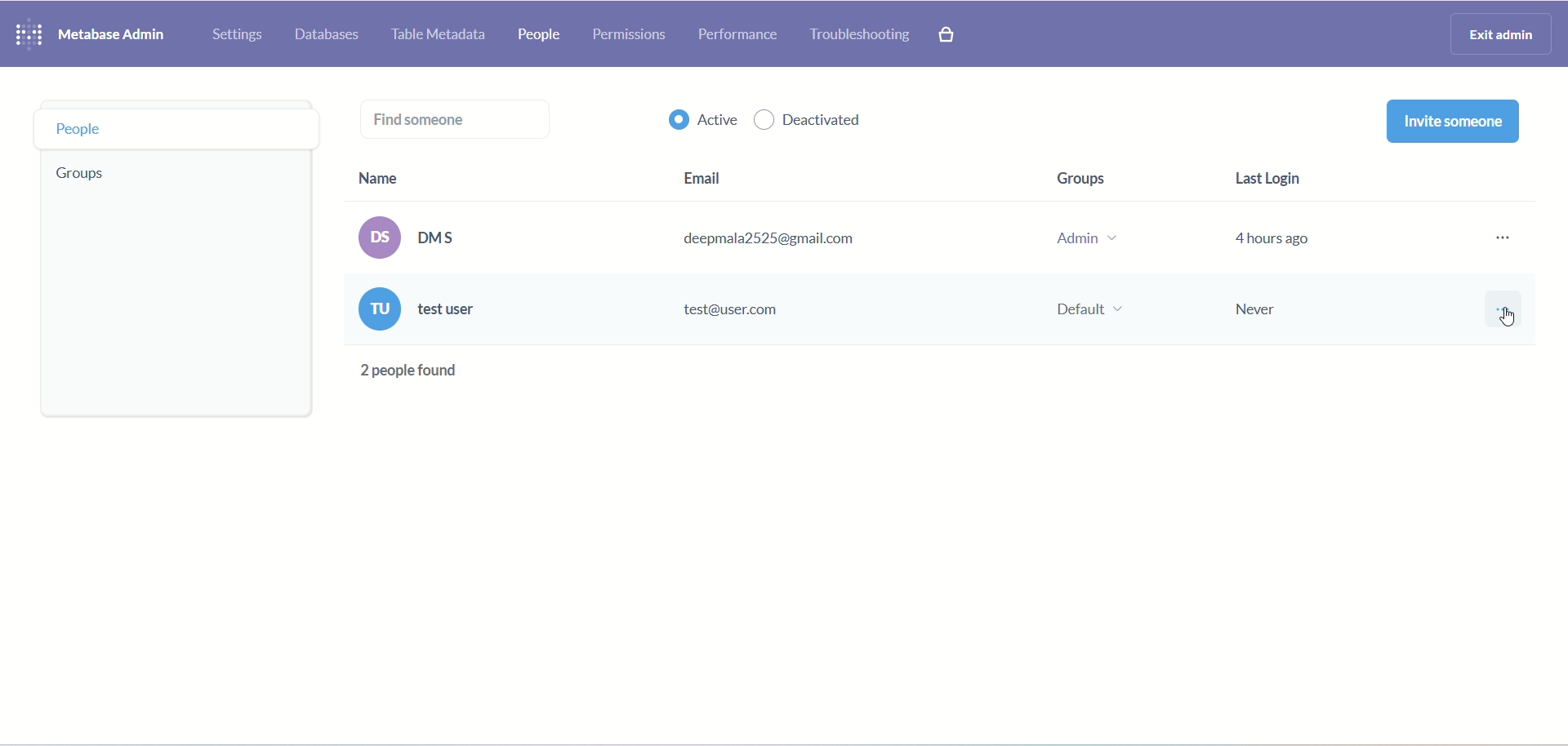 This screenshot has width=1568, height=746. I want to click on people, so click(171, 130).